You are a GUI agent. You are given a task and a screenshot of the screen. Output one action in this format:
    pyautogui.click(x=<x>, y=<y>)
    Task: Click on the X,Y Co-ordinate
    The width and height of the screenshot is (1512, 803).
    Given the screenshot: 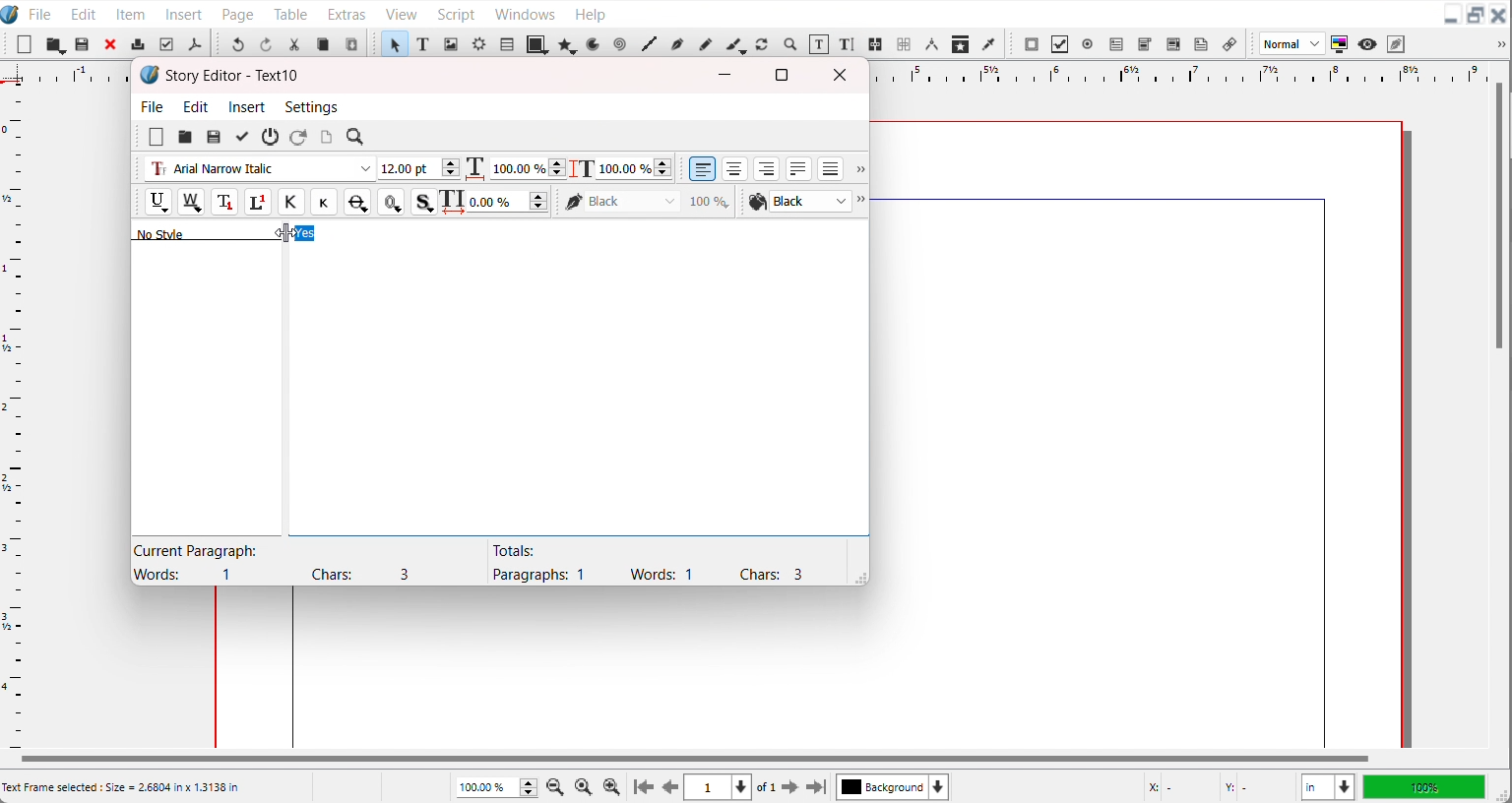 What is the action you would take?
    pyautogui.click(x=1216, y=786)
    